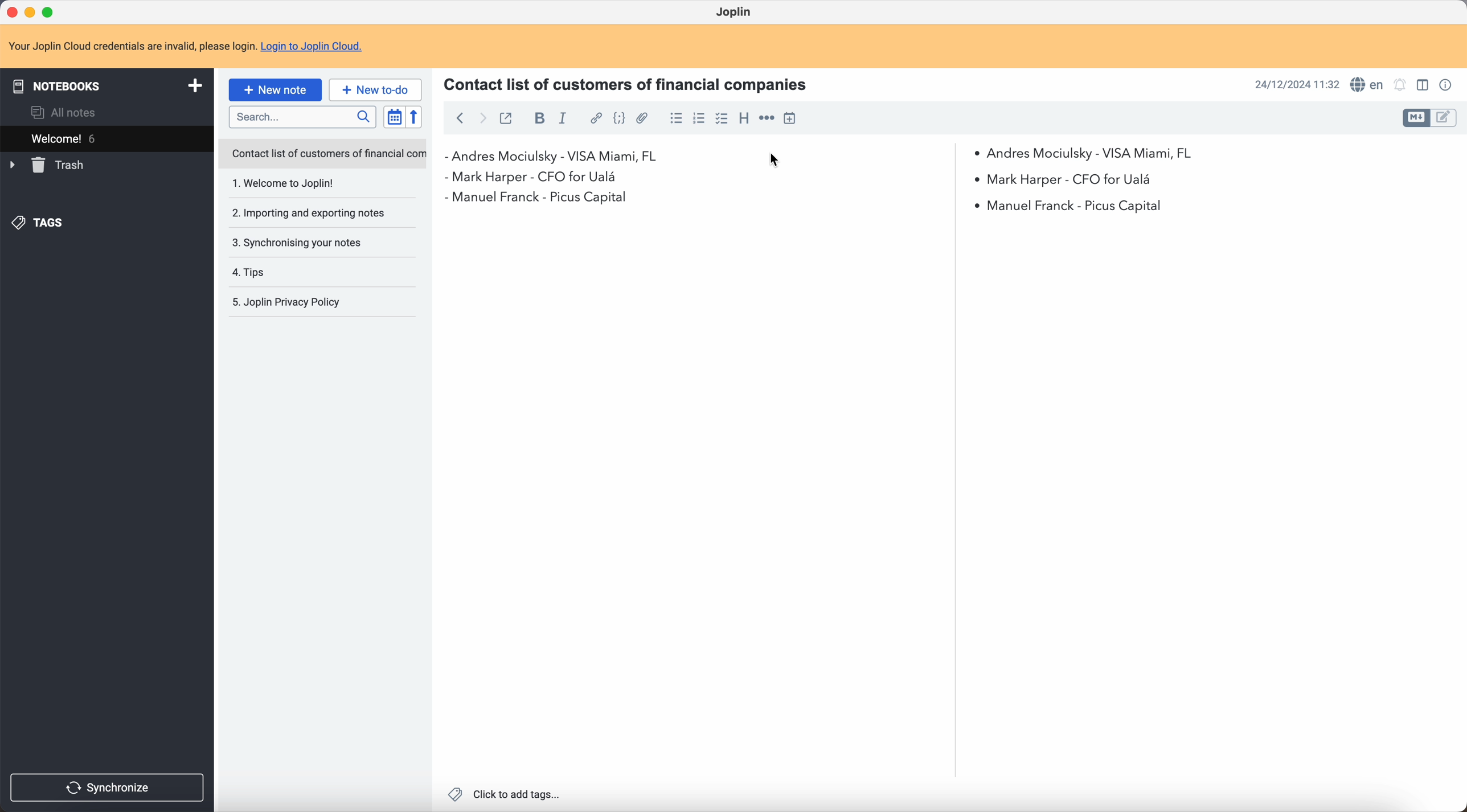 Image resolution: width=1467 pixels, height=812 pixels. I want to click on toggle sort order field, so click(392, 117).